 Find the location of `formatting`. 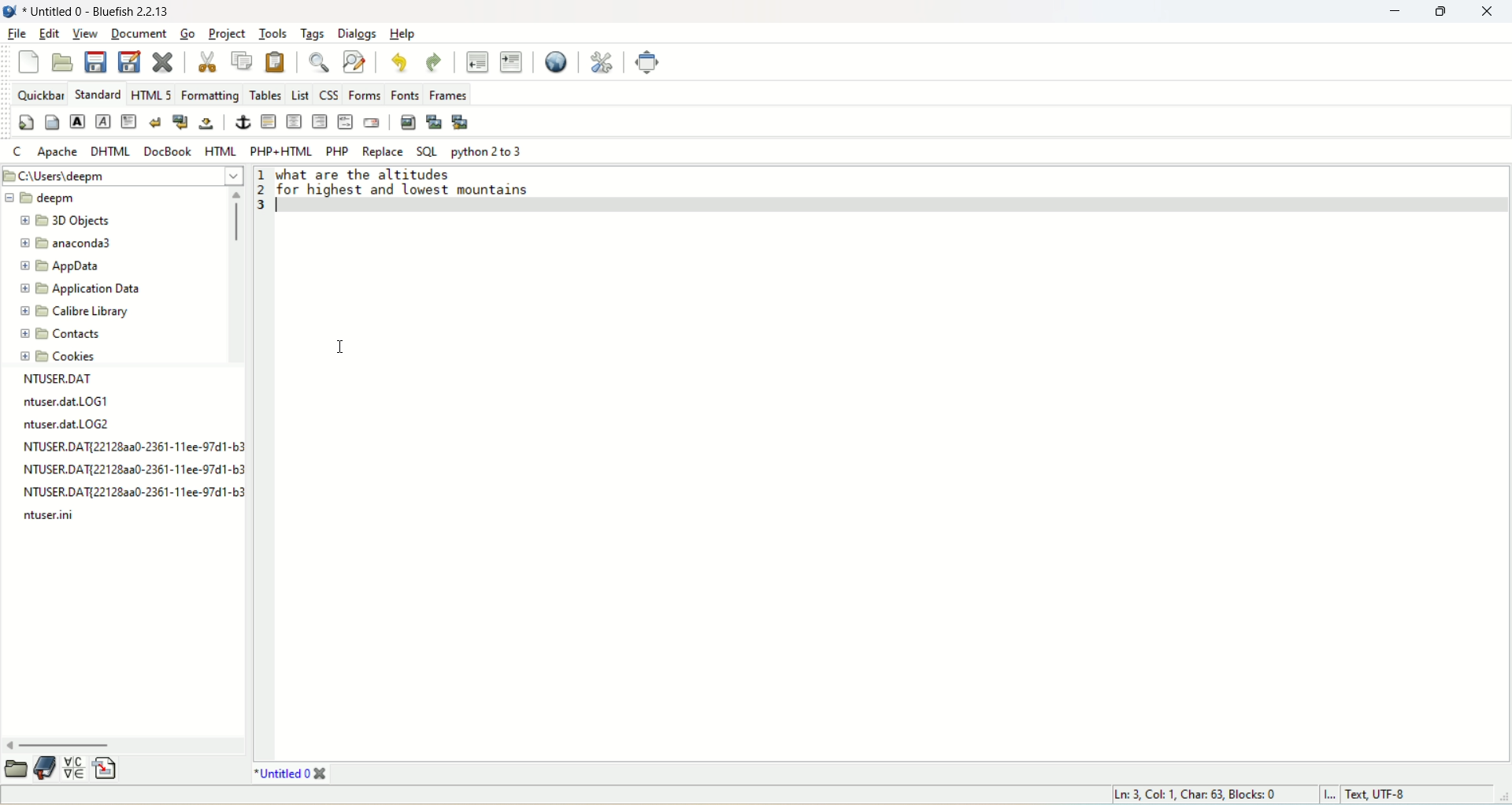

formatting is located at coordinates (208, 93).